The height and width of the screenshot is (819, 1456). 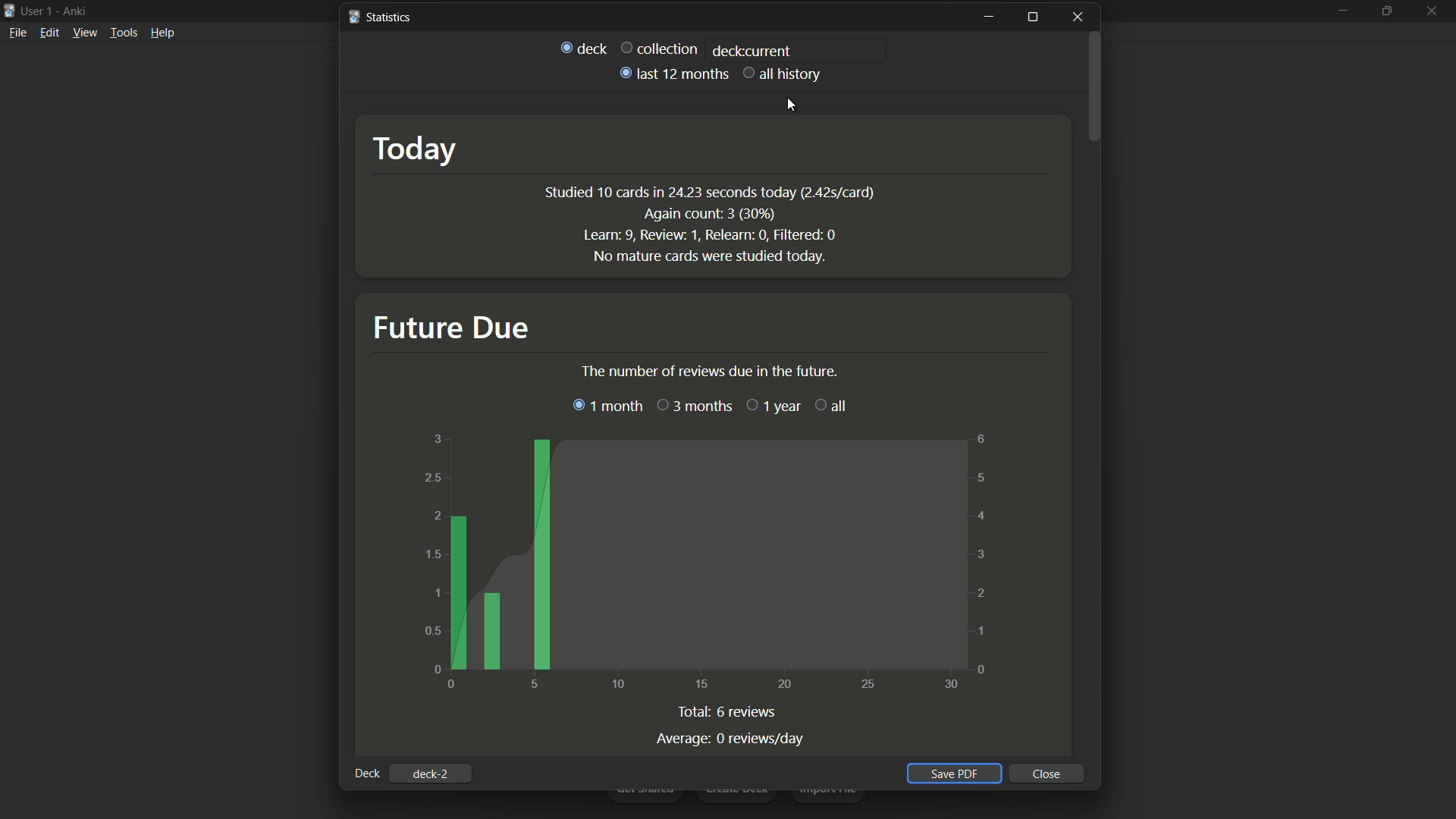 What do you see at coordinates (583, 49) in the screenshot?
I see `Deck` at bounding box center [583, 49].